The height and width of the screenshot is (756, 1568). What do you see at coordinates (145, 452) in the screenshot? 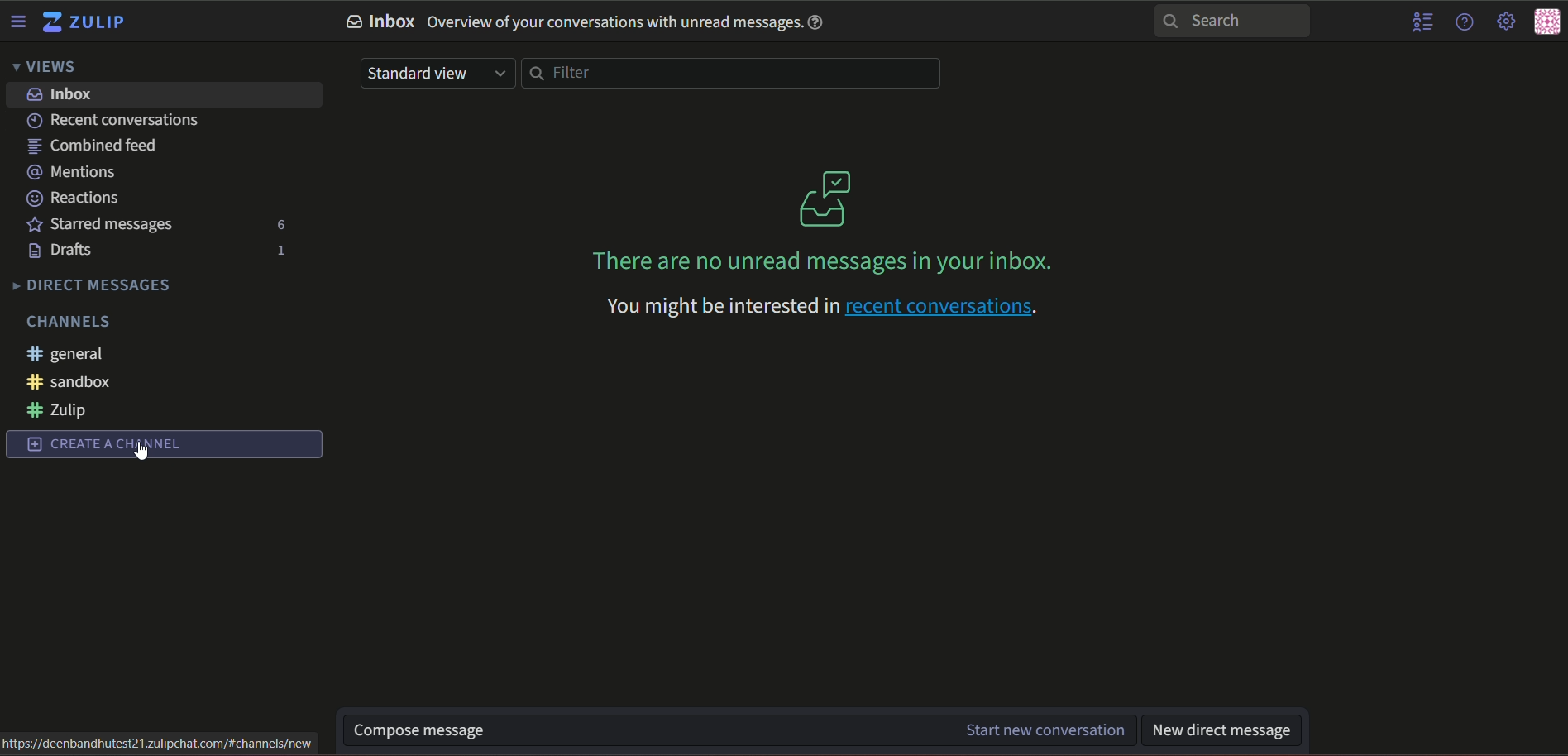
I see `Cursor` at bounding box center [145, 452].